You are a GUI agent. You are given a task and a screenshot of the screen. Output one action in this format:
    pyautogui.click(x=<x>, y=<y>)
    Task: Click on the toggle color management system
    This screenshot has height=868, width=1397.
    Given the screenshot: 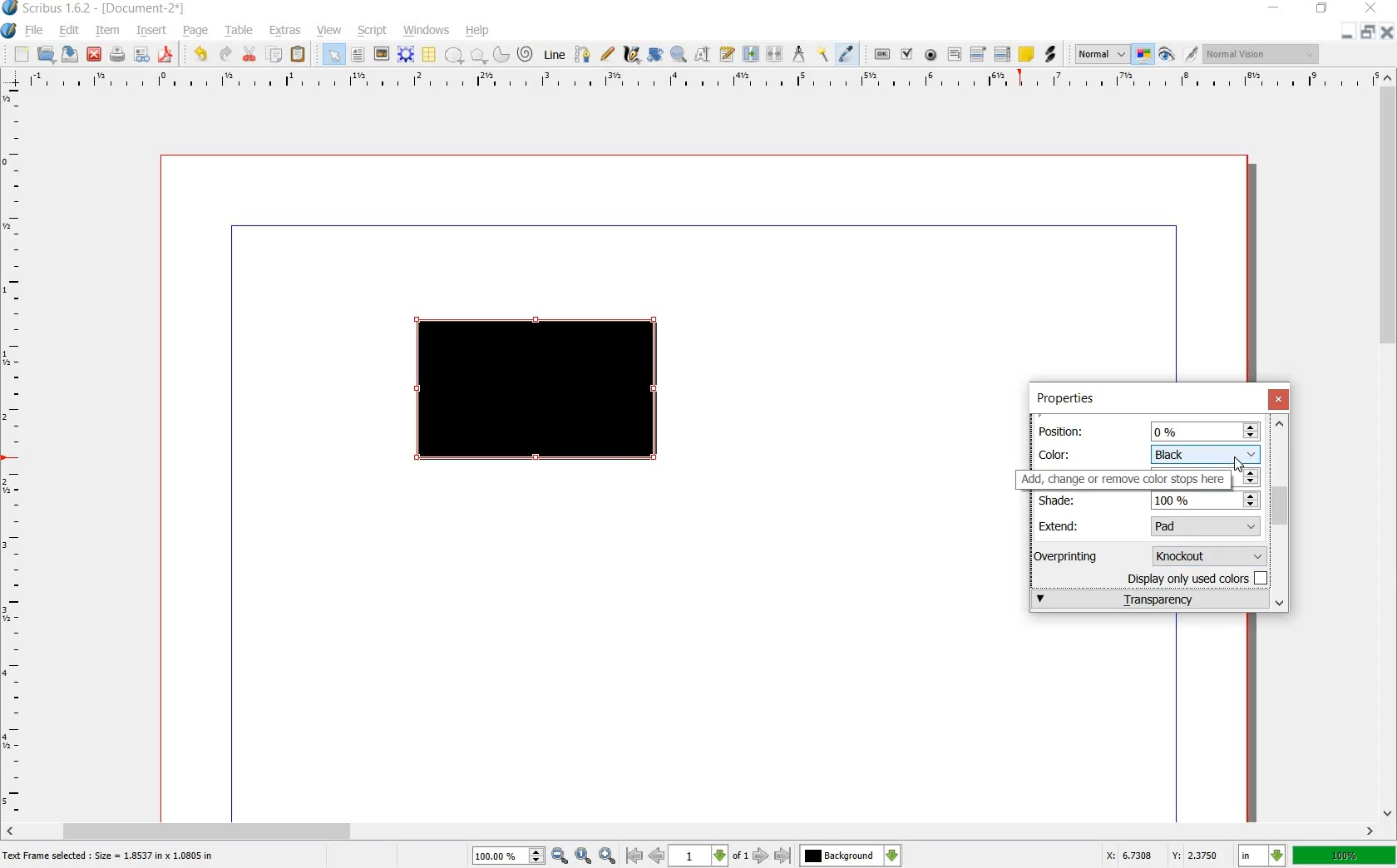 What is the action you would take?
    pyautogui.click(x=1144, y=55)
    